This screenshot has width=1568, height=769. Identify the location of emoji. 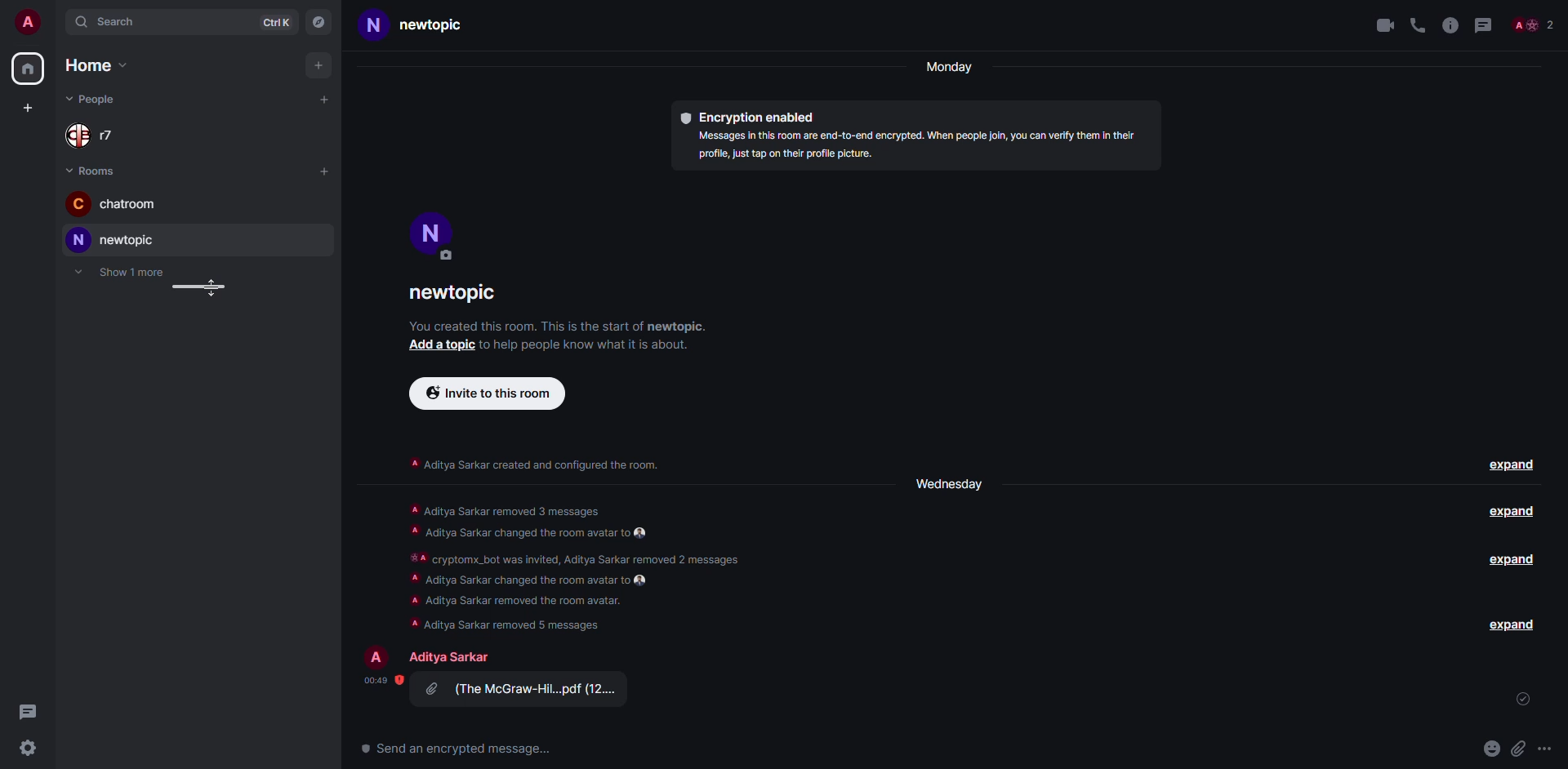
(1493, 748).